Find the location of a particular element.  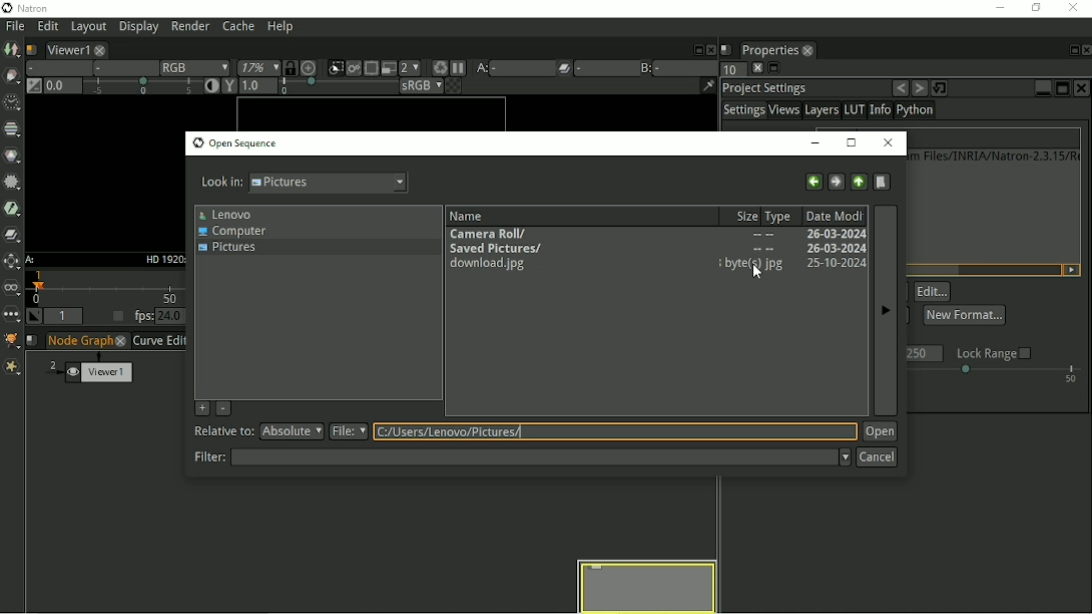

Pictures is located at coordinates (232, 250).